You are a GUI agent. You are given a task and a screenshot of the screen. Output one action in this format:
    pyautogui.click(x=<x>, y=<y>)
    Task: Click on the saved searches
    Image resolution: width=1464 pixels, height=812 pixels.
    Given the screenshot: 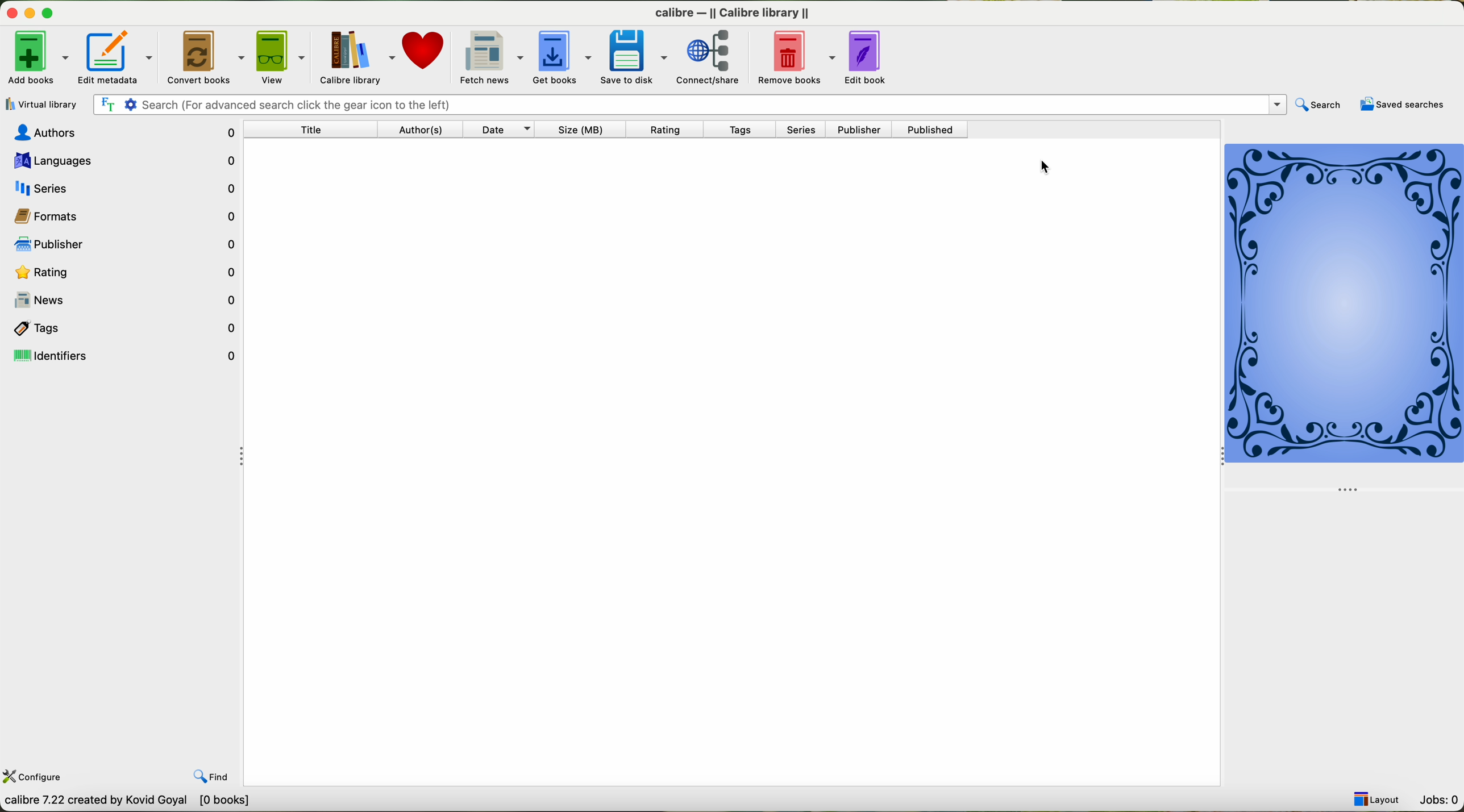 What is the action you would take?
    pyautogui.click(x=1401, y=105)
    